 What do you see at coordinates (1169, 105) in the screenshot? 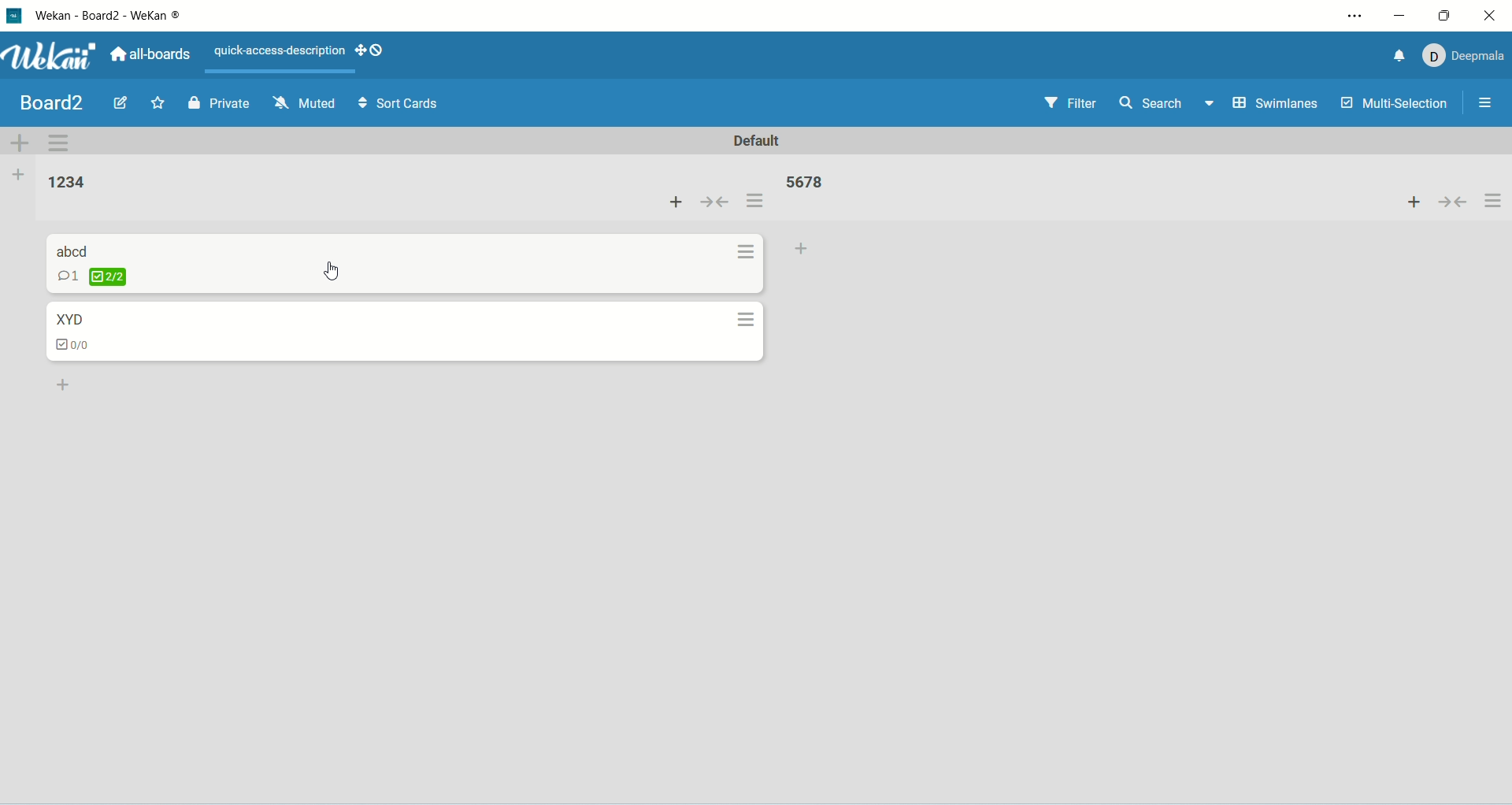
I see `search` at bounding box center [1169, 105].